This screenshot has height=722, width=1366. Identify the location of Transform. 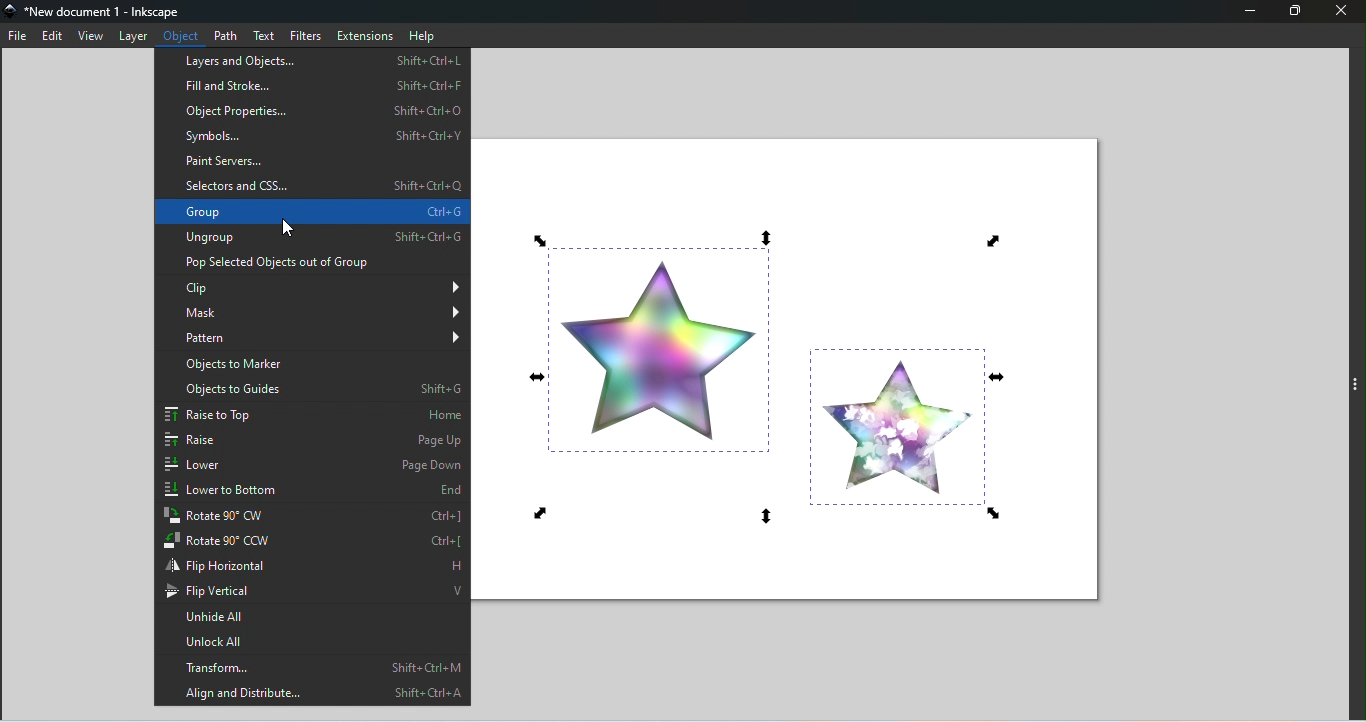
(315, 665).